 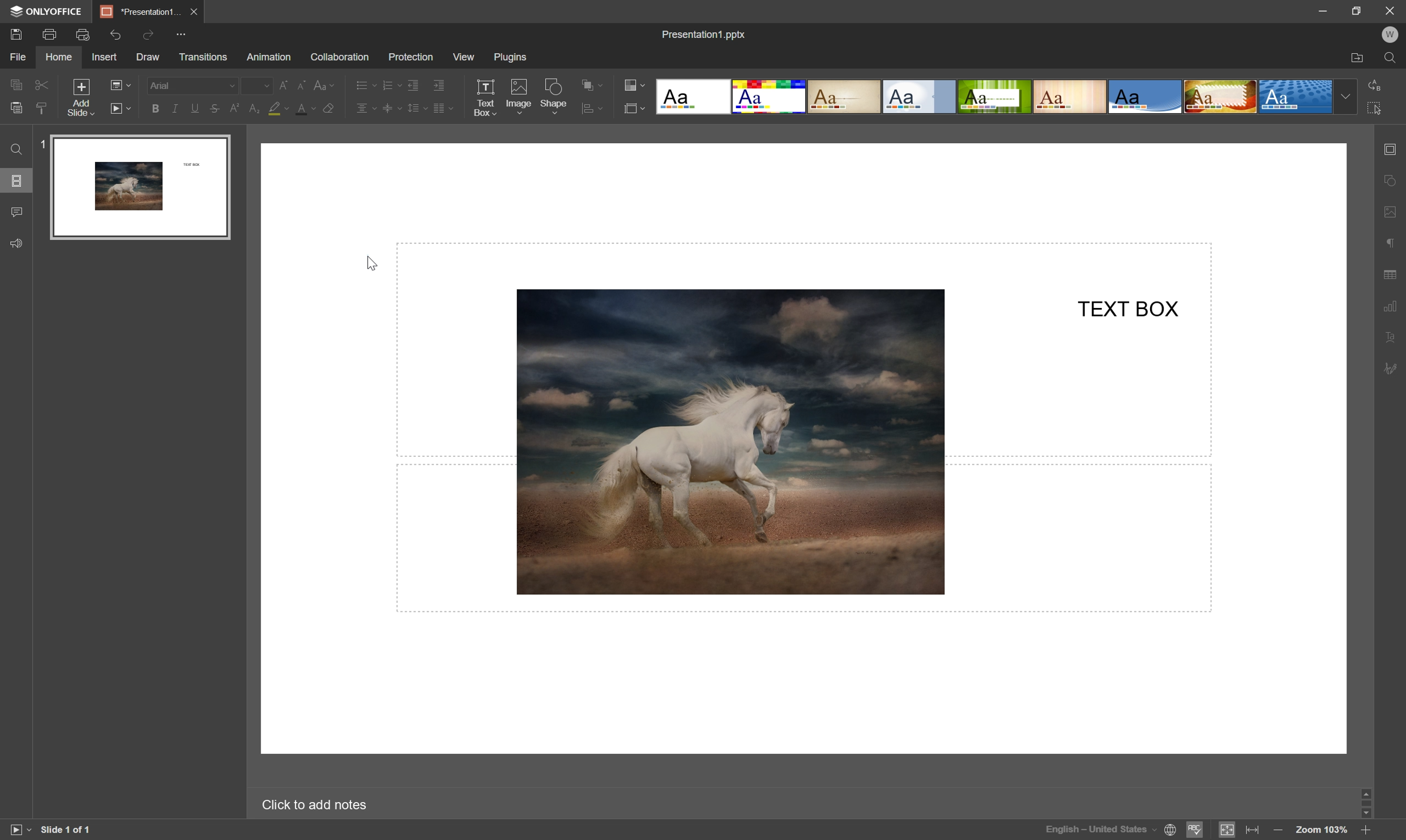 What do you see at coordinates (307, 109) in the screenshot?
I see `font color` at bounding box center [307, 109].